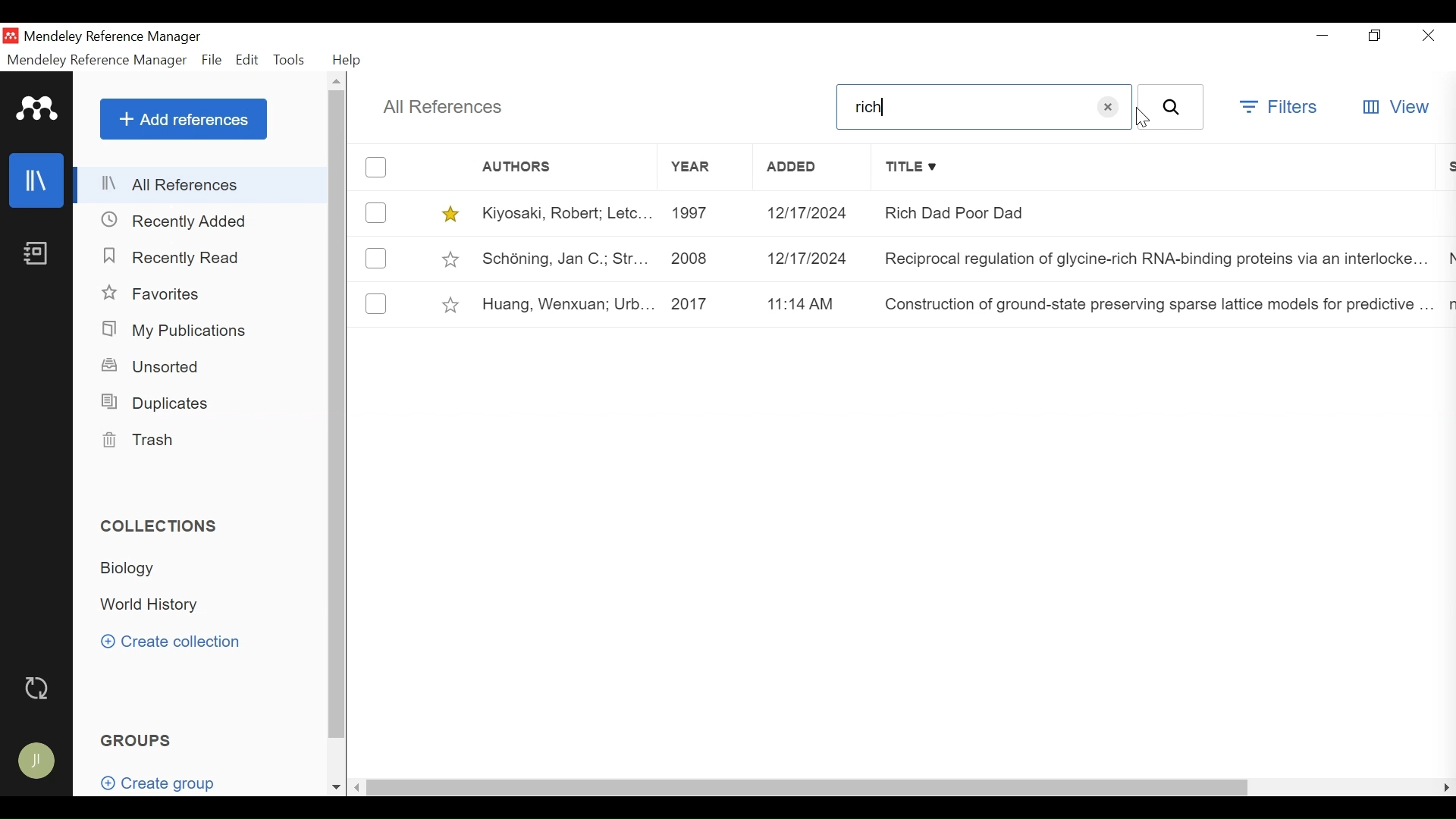 The height and width of the screenshot is (819, 1456). What do you see at coordinates (375, 168) in the screenshot?
I see `(un)select` at bounding box center [375, 168].